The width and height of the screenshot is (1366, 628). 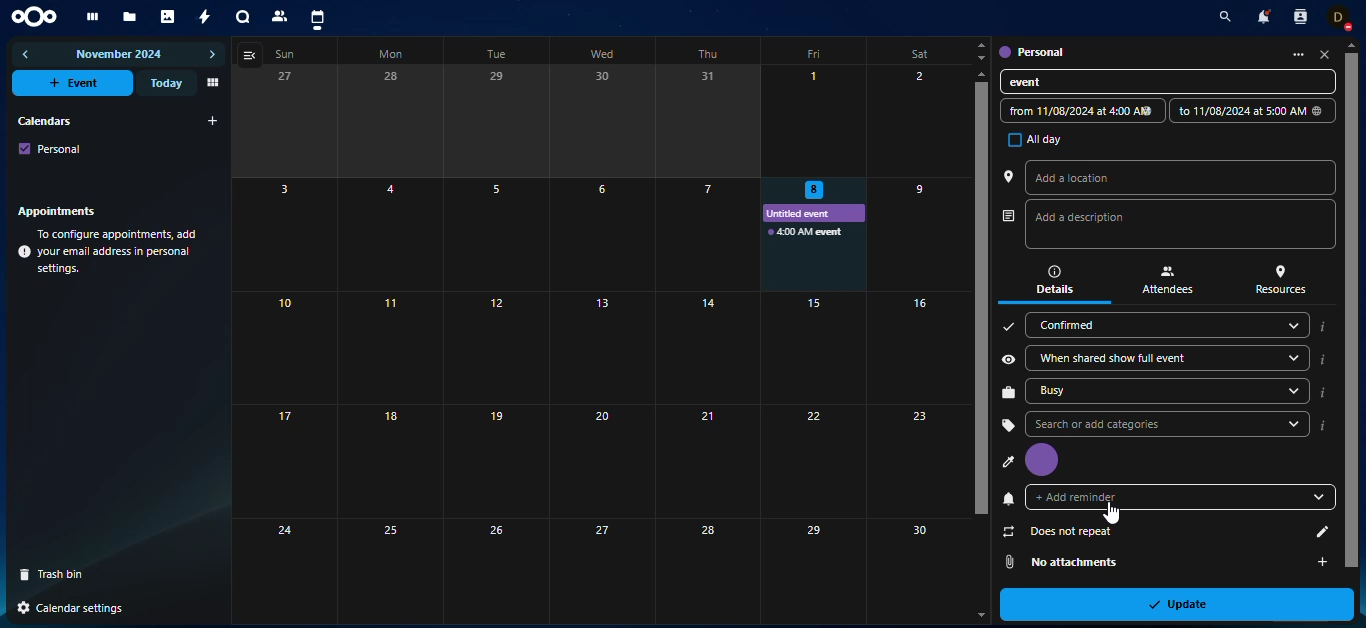 What do you see at coordinates (43, 120) in the screenshot?
I see `calendars` at bounding box center [43, 120].